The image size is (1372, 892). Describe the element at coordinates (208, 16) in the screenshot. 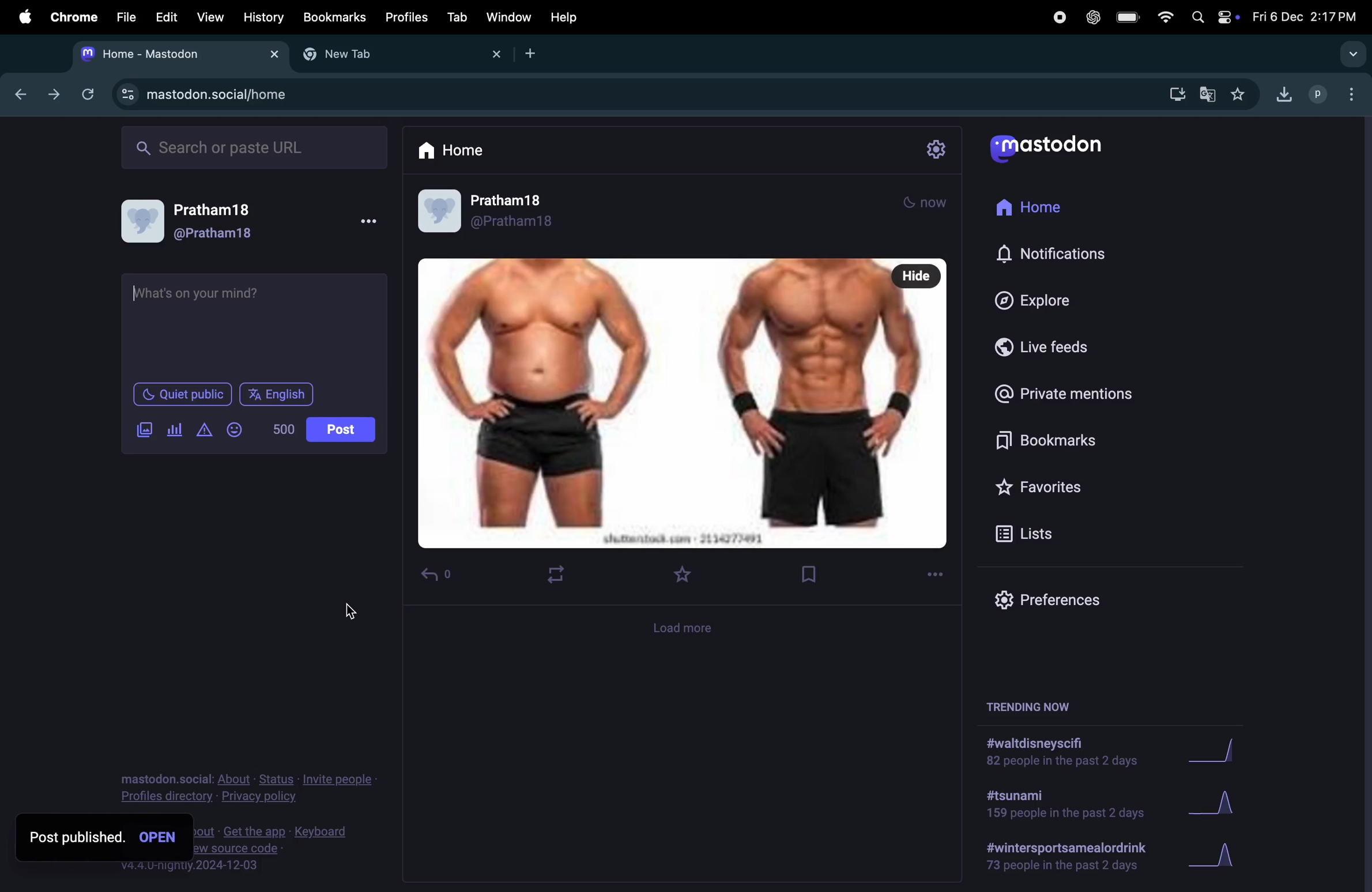

I see `view` at that location.